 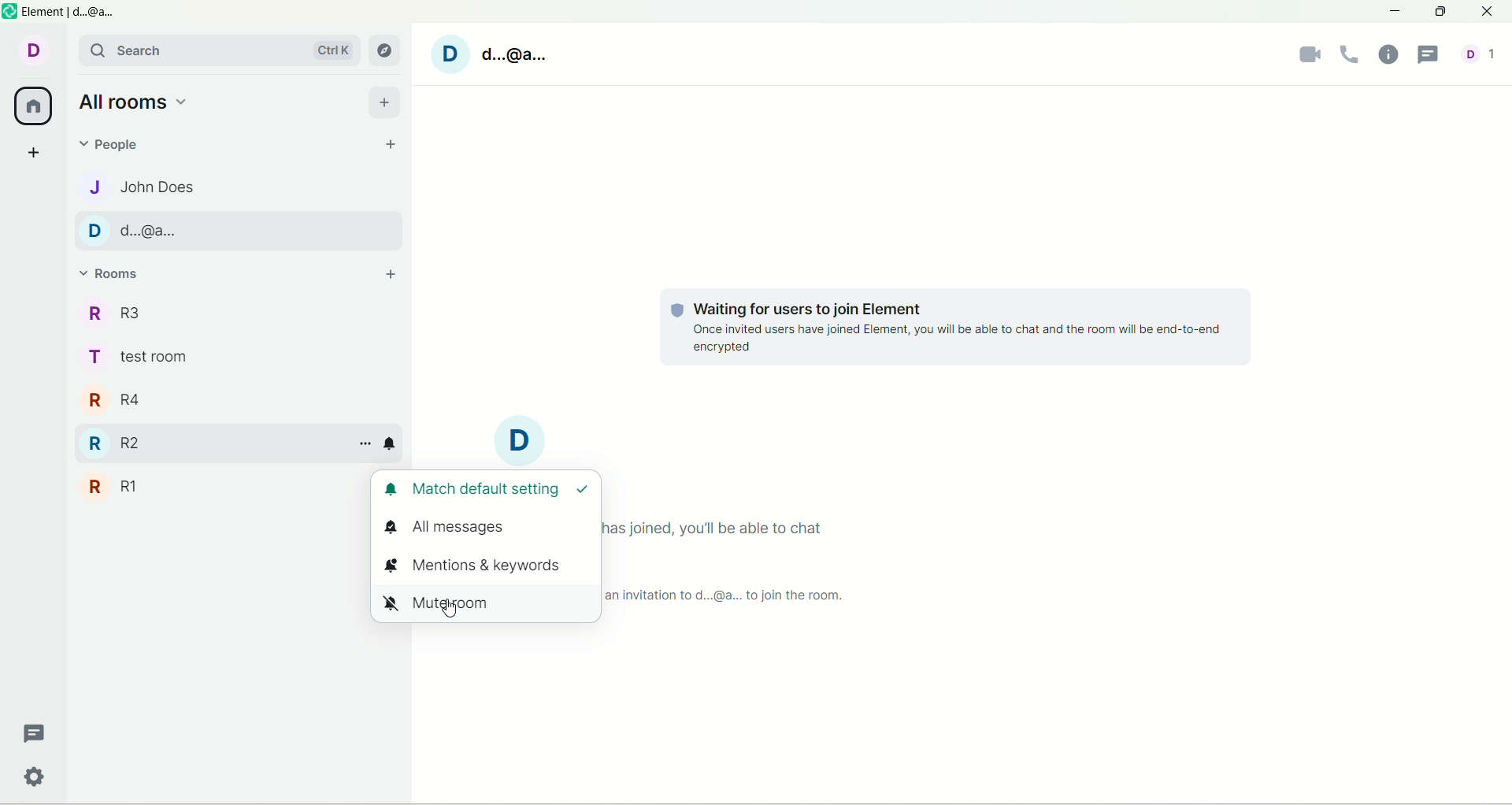 I want to click on people, so click(x=146, y=184).